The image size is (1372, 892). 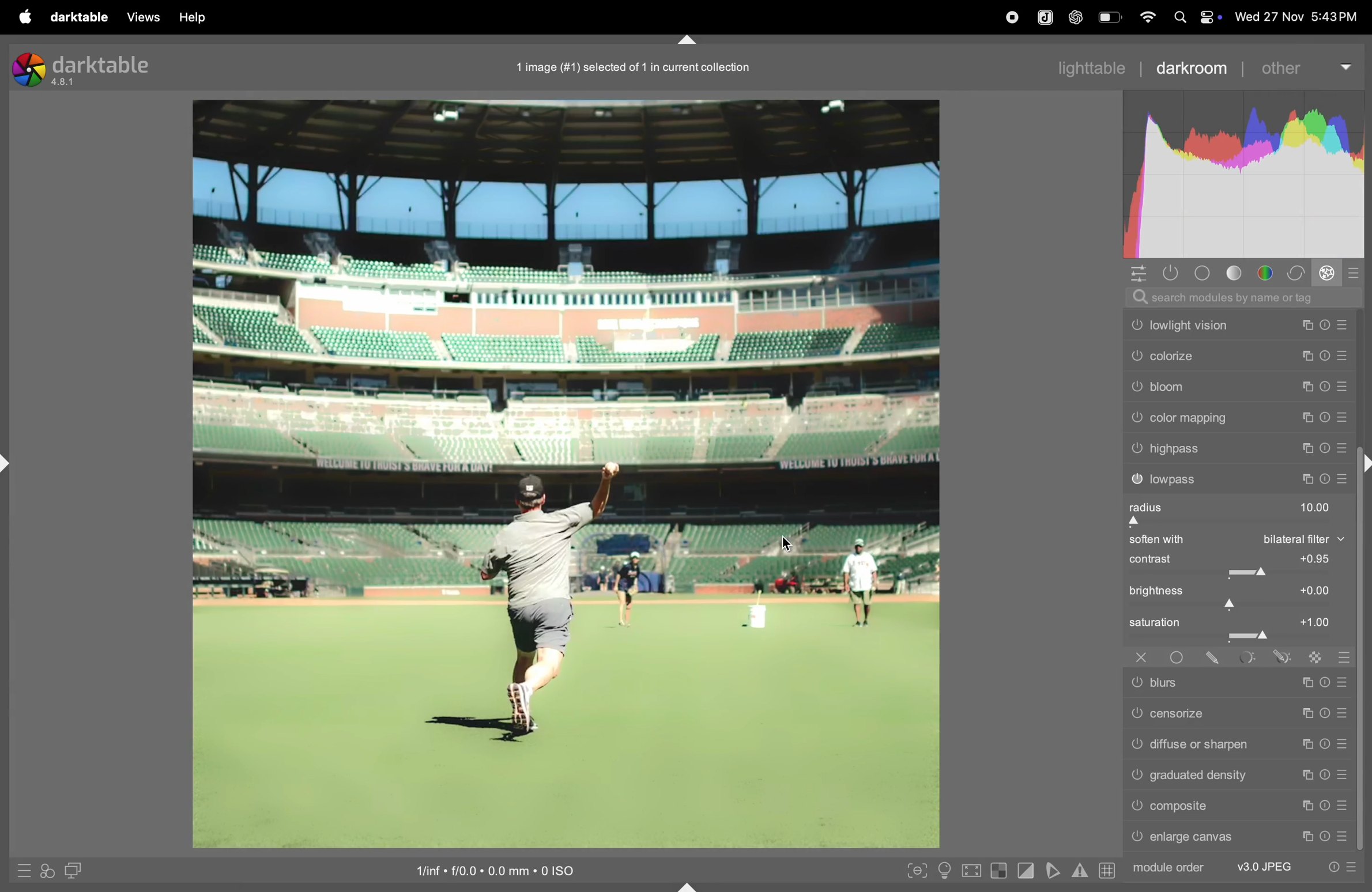 I want to click on darltable, so click(x=77, y=18).